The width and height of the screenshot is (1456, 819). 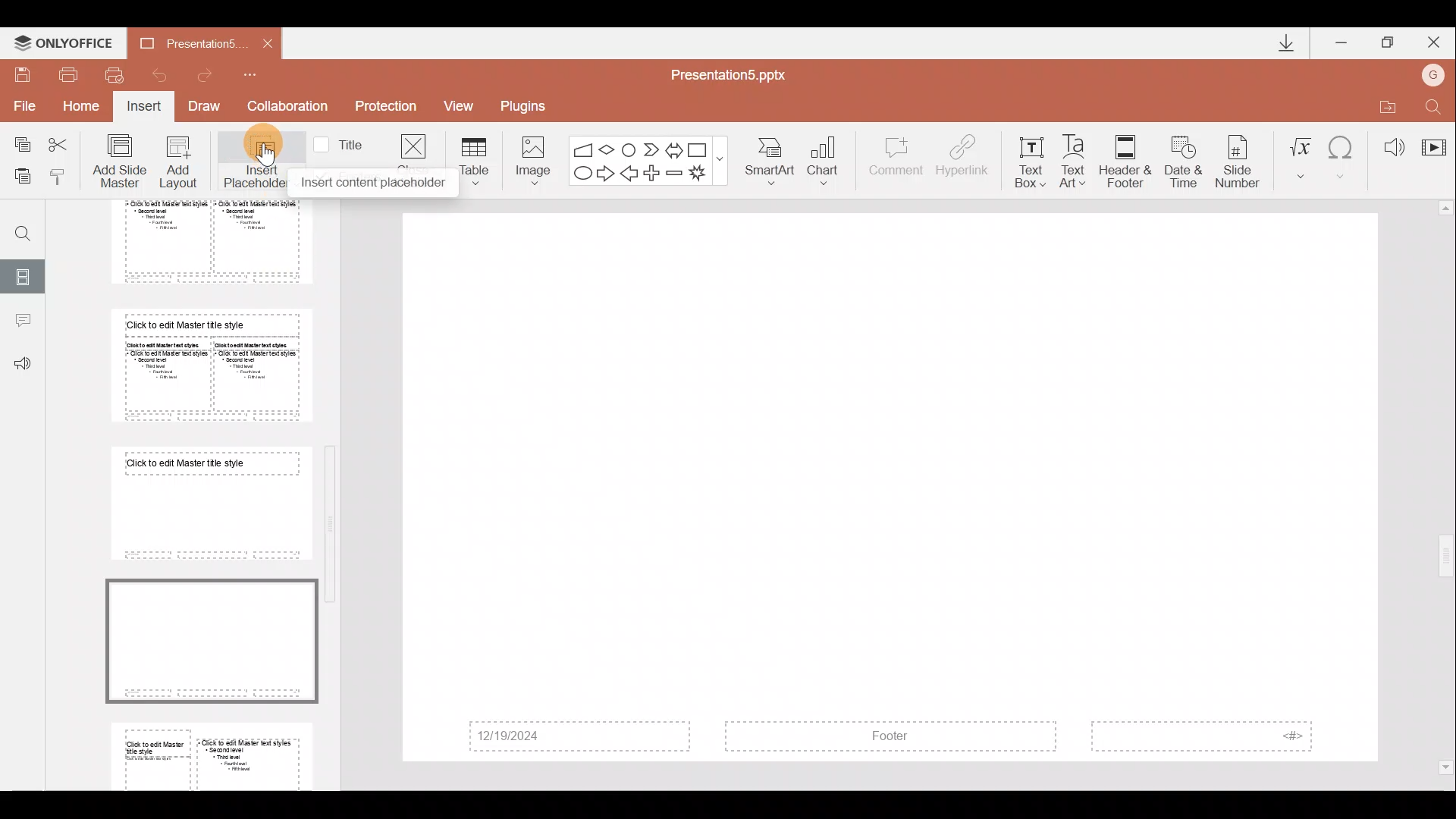 I want to click on Home, so click(x=83, y=110).